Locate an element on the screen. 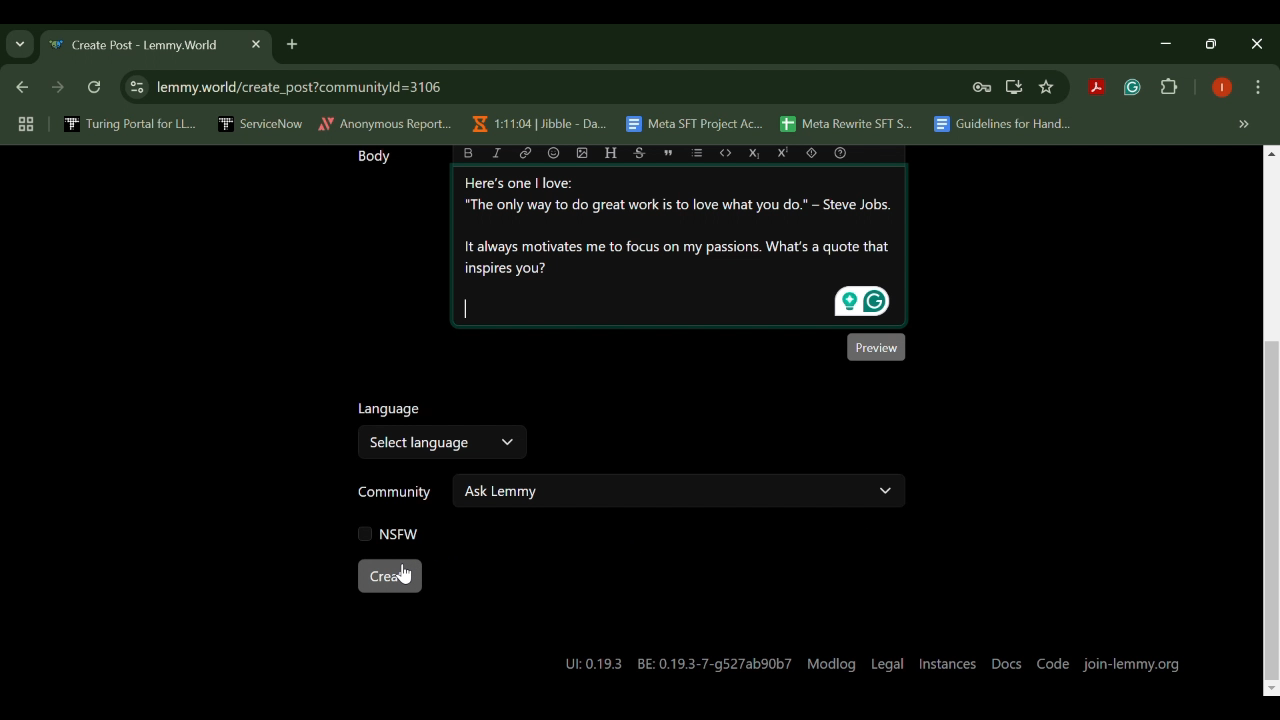  Legal is located at coordinates (888, 661).